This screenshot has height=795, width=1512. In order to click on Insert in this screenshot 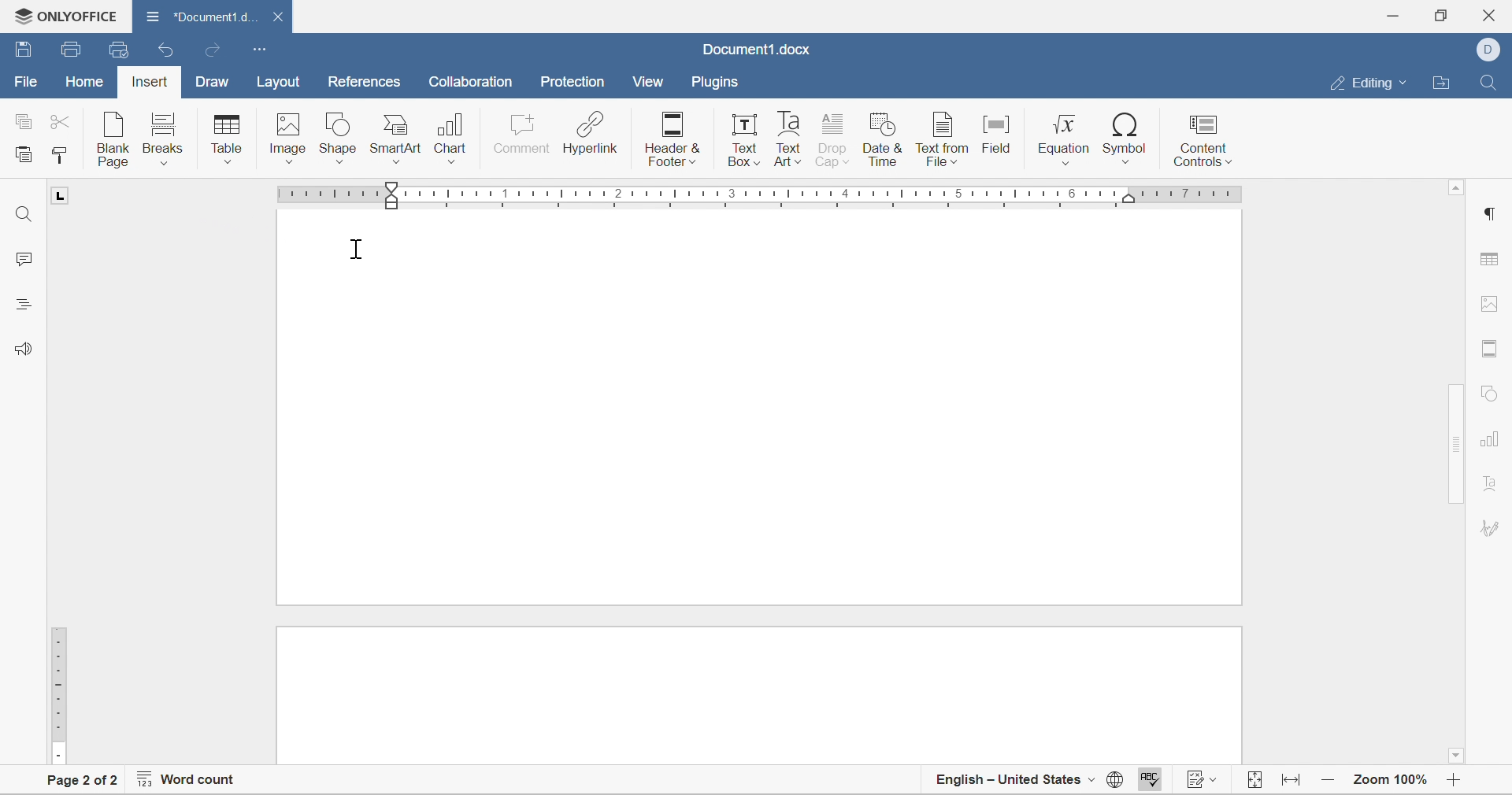, I will do `click(147, 83)`.